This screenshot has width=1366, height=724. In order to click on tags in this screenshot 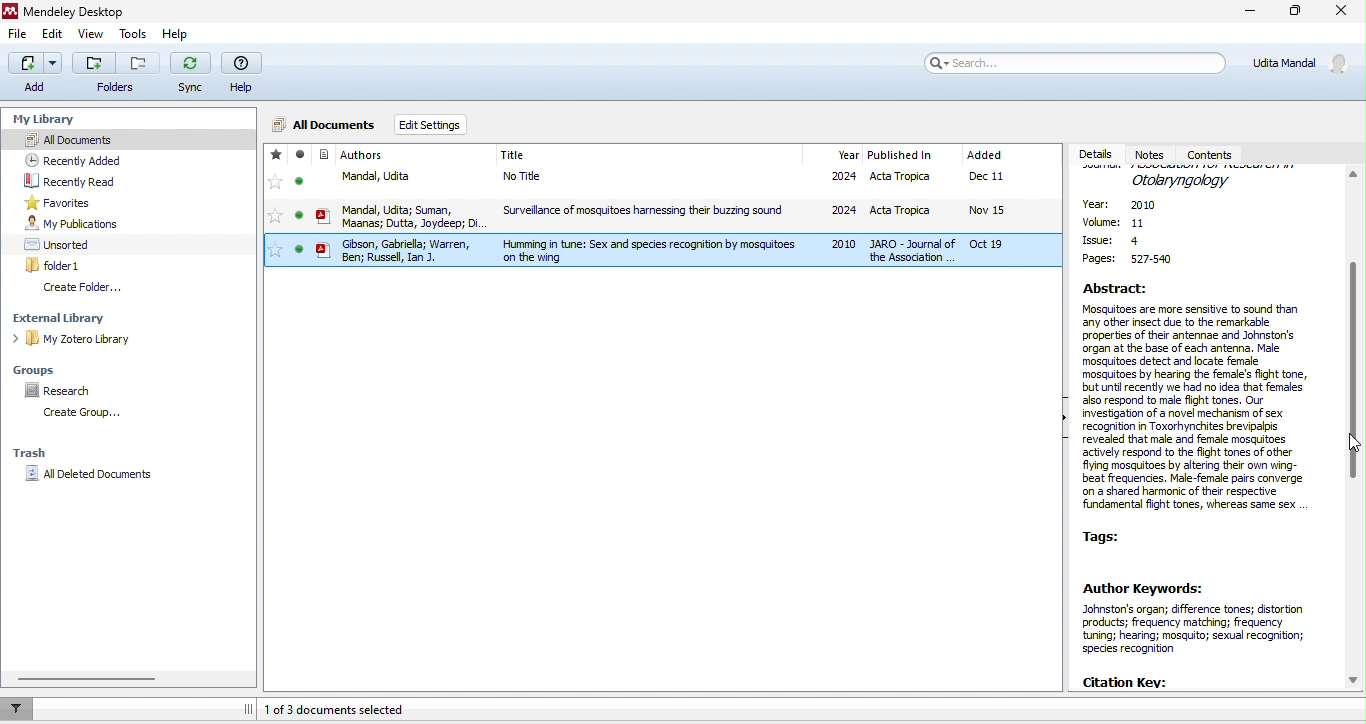, I will do `click(1108, 534)`.